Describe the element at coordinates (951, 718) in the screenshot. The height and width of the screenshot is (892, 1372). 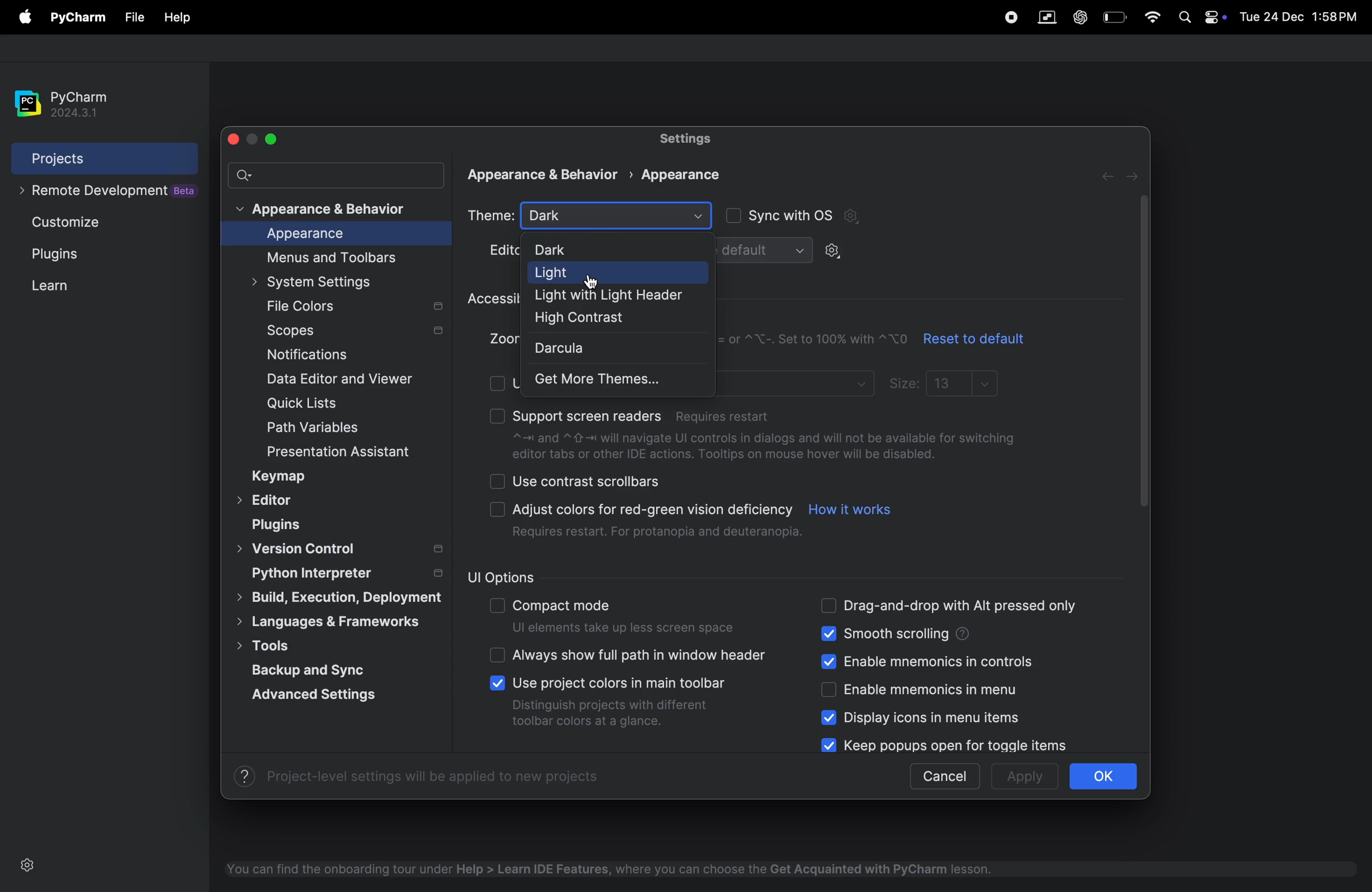
I see `display icons in menu items` at that location.